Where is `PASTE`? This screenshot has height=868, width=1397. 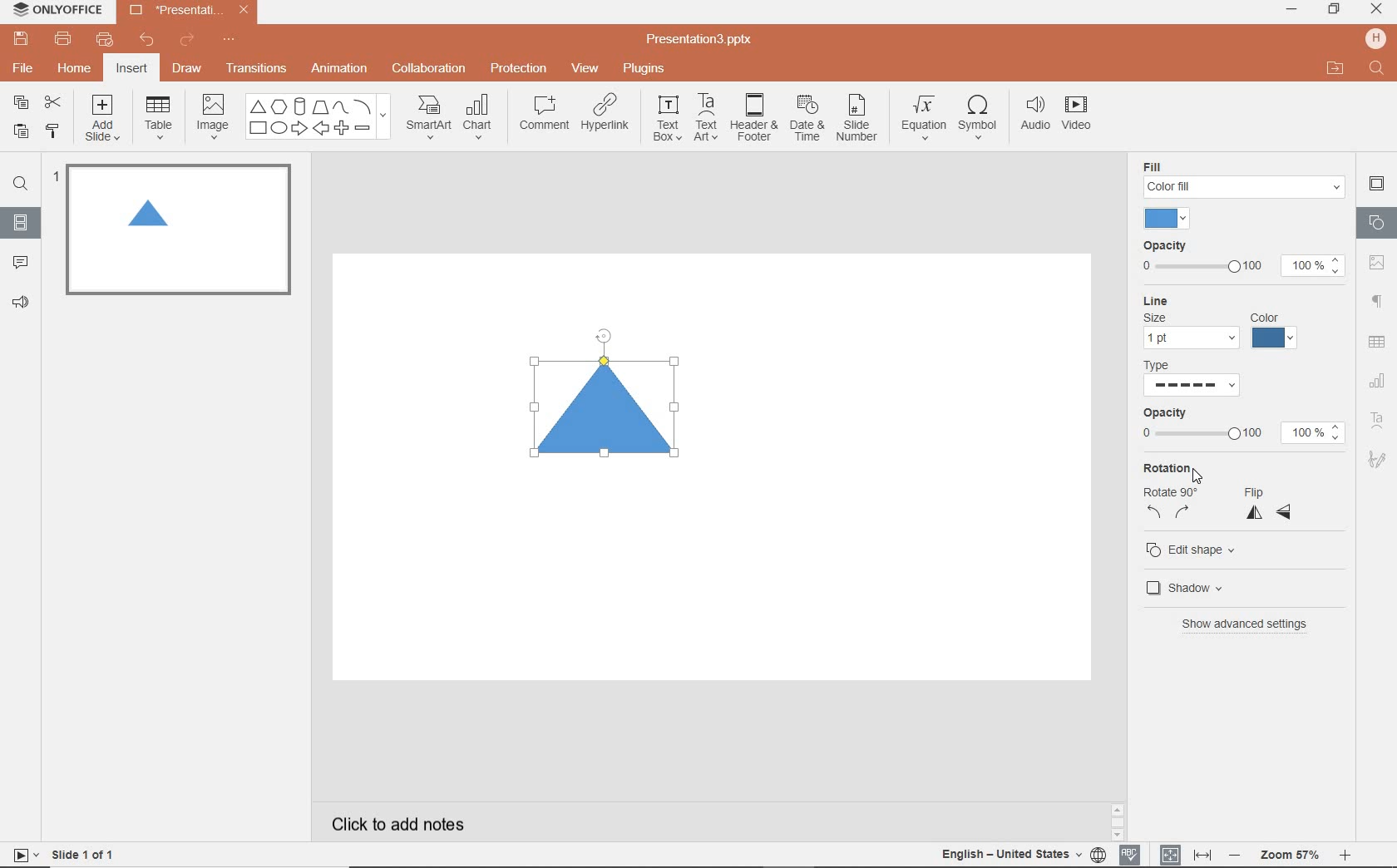 PASTE is located at coordinates (17, 132).